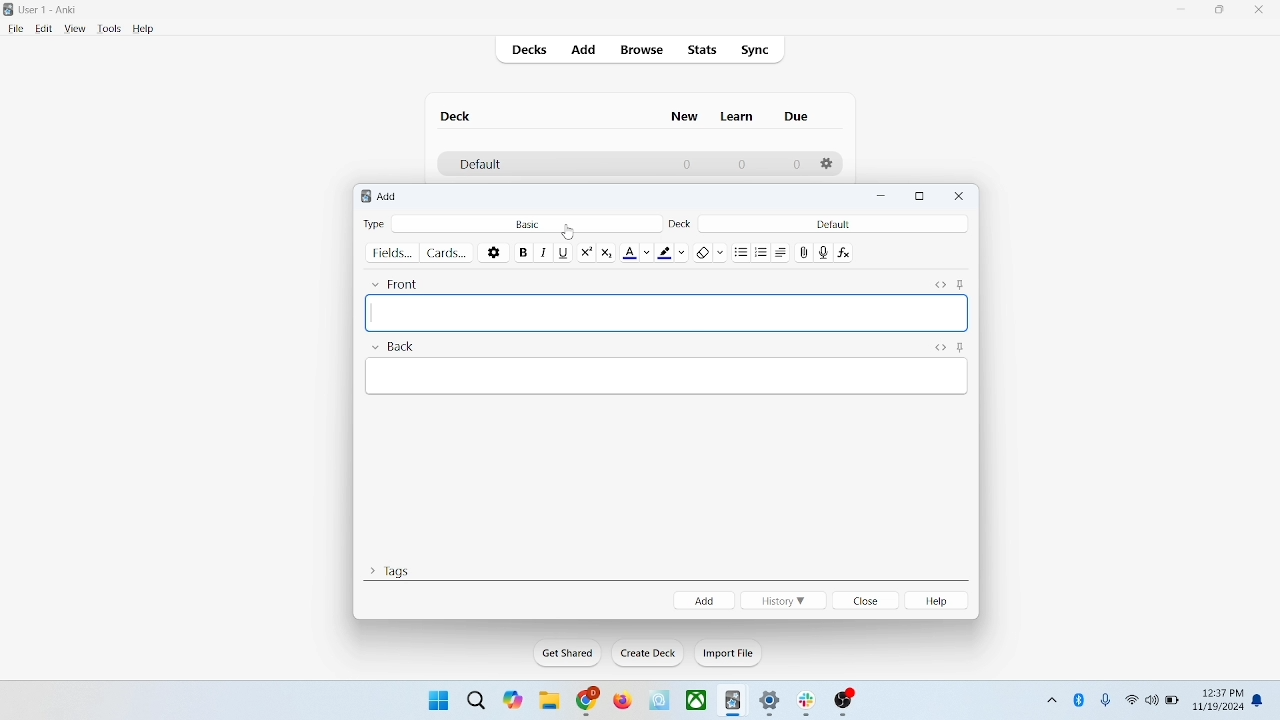  I want to click on close, so click(867, 602).